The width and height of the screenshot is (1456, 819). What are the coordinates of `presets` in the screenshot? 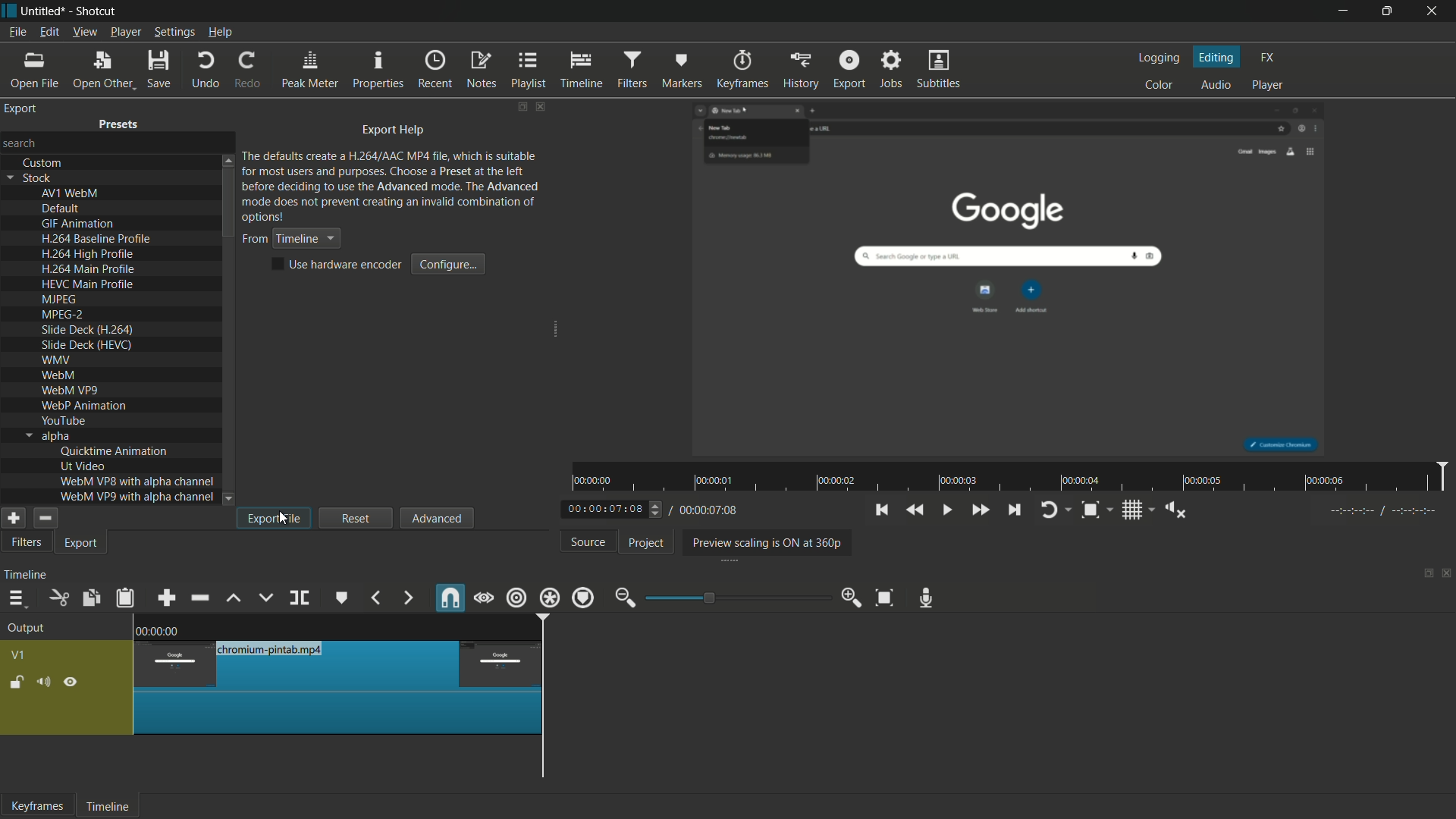 It's located at (119, 125).